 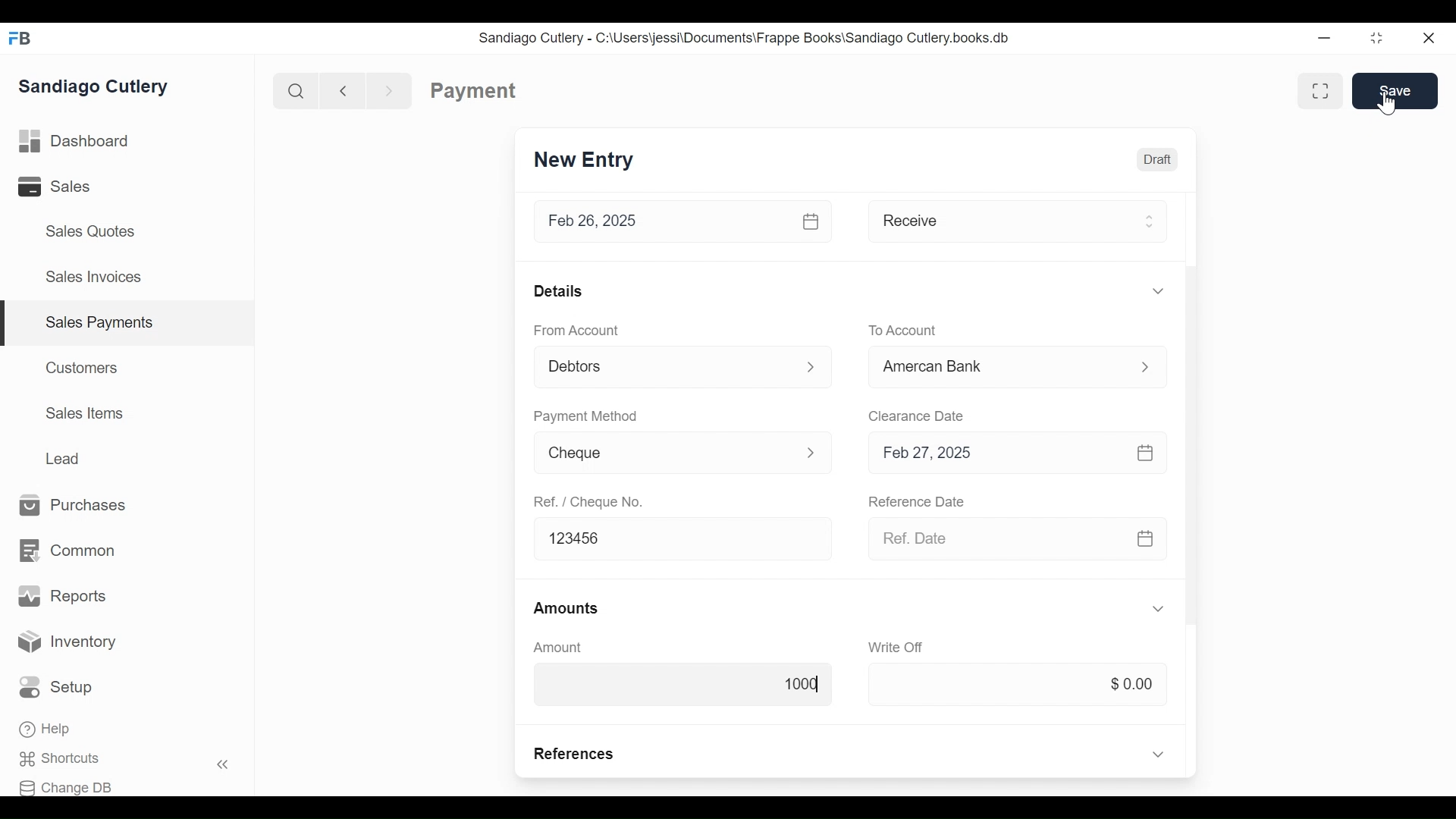 I want to click on Sales, so click(x=65, y=187).